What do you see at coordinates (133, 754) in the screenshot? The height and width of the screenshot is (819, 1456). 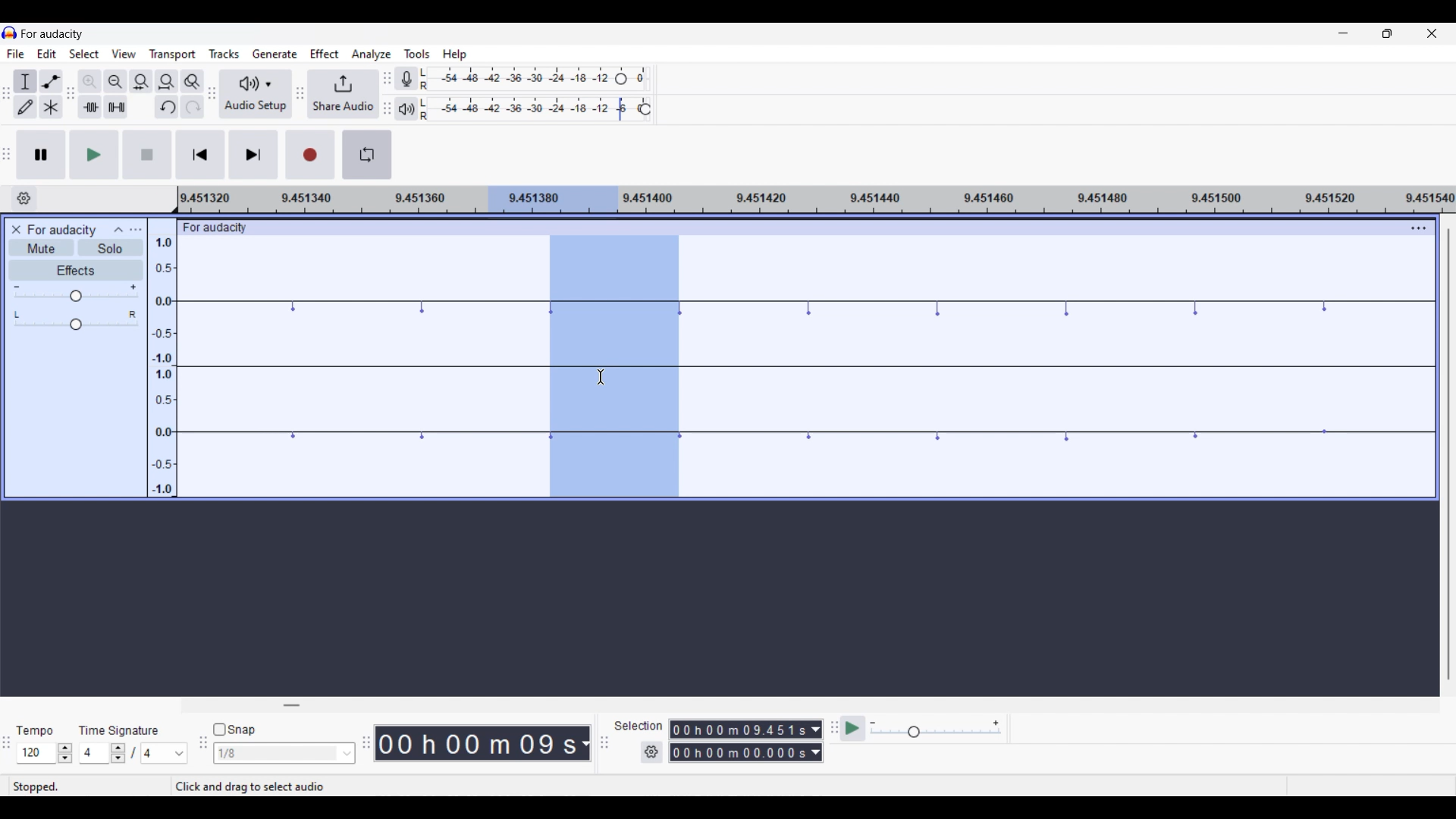 I see `Time signature settings` at bounding box center [133, 754].